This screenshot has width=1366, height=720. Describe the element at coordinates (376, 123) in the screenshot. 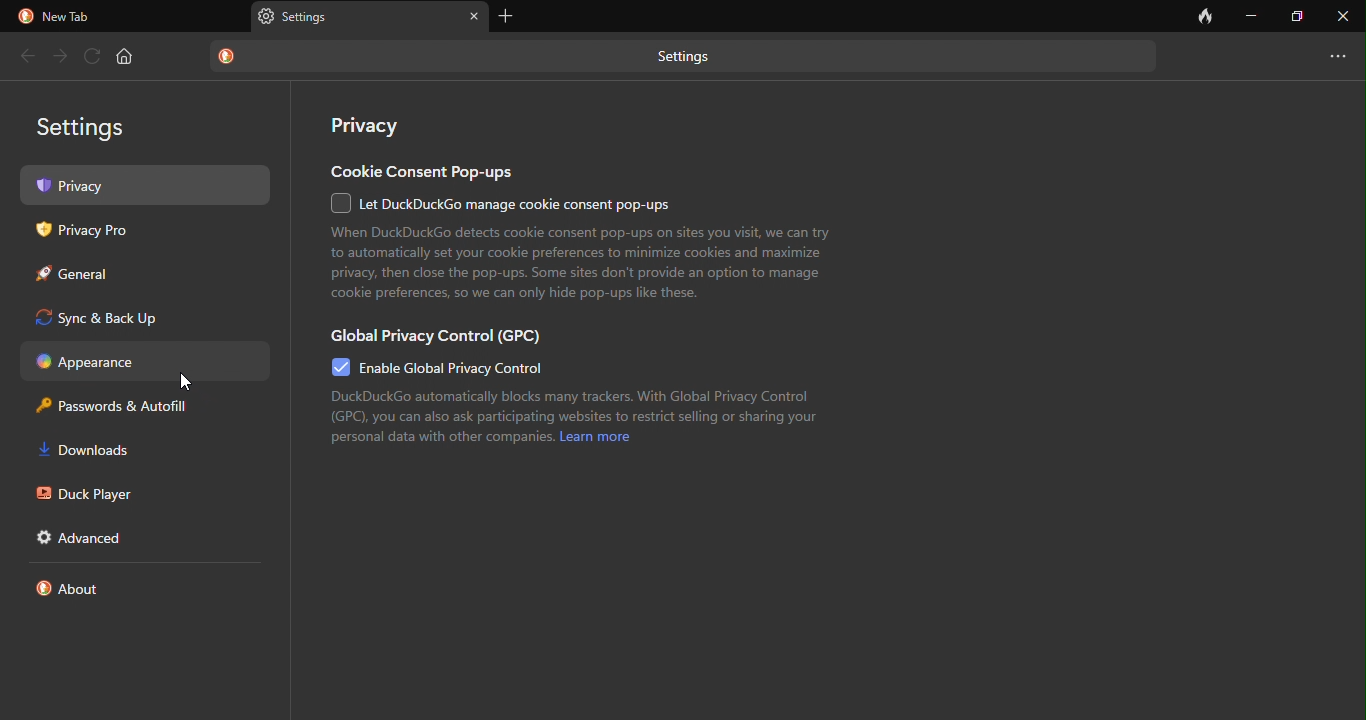

I see `privacy` at that location.